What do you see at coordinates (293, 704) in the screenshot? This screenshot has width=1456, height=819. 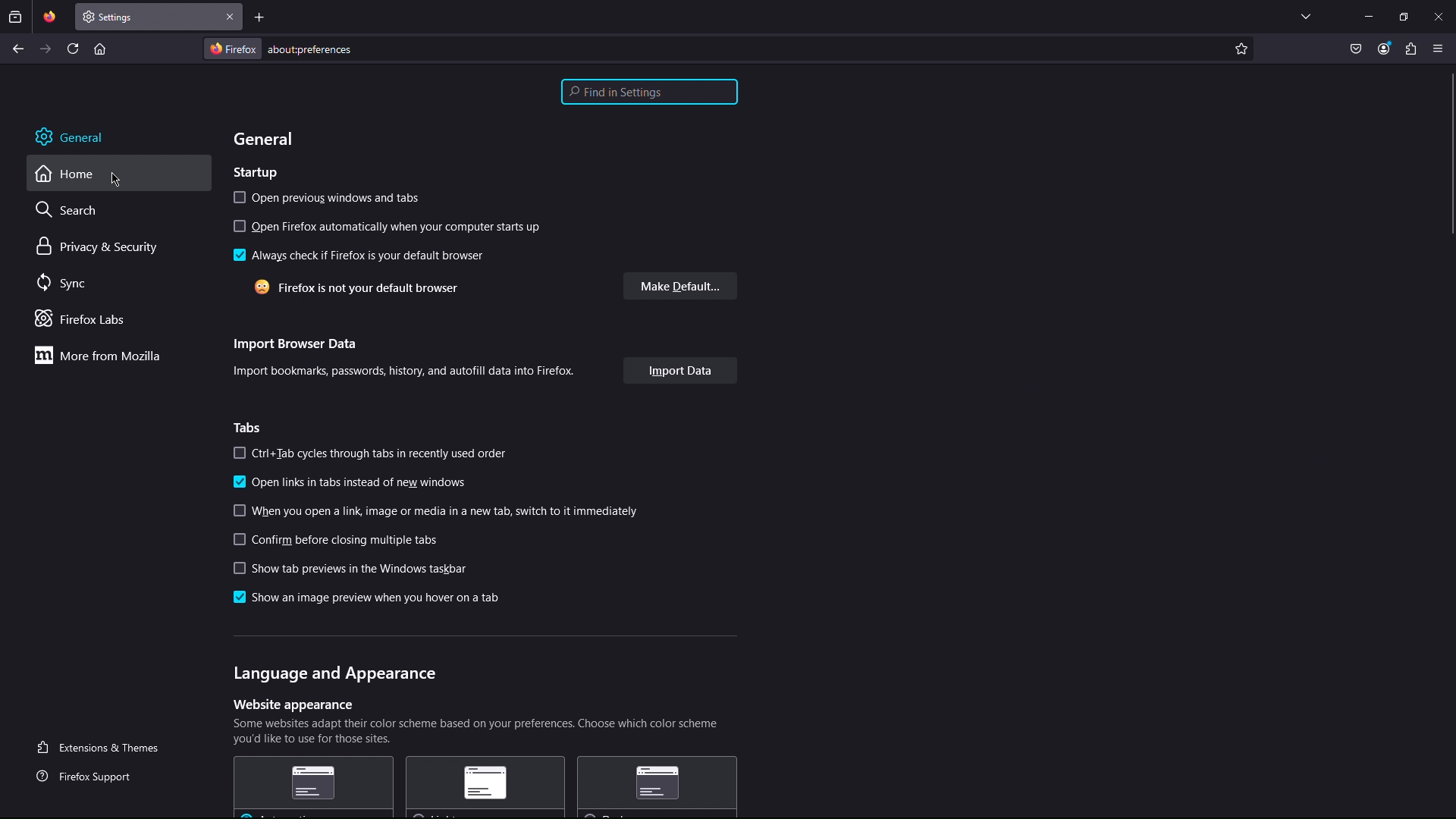 I see `Website appearance` at bounding box center [293, 704].